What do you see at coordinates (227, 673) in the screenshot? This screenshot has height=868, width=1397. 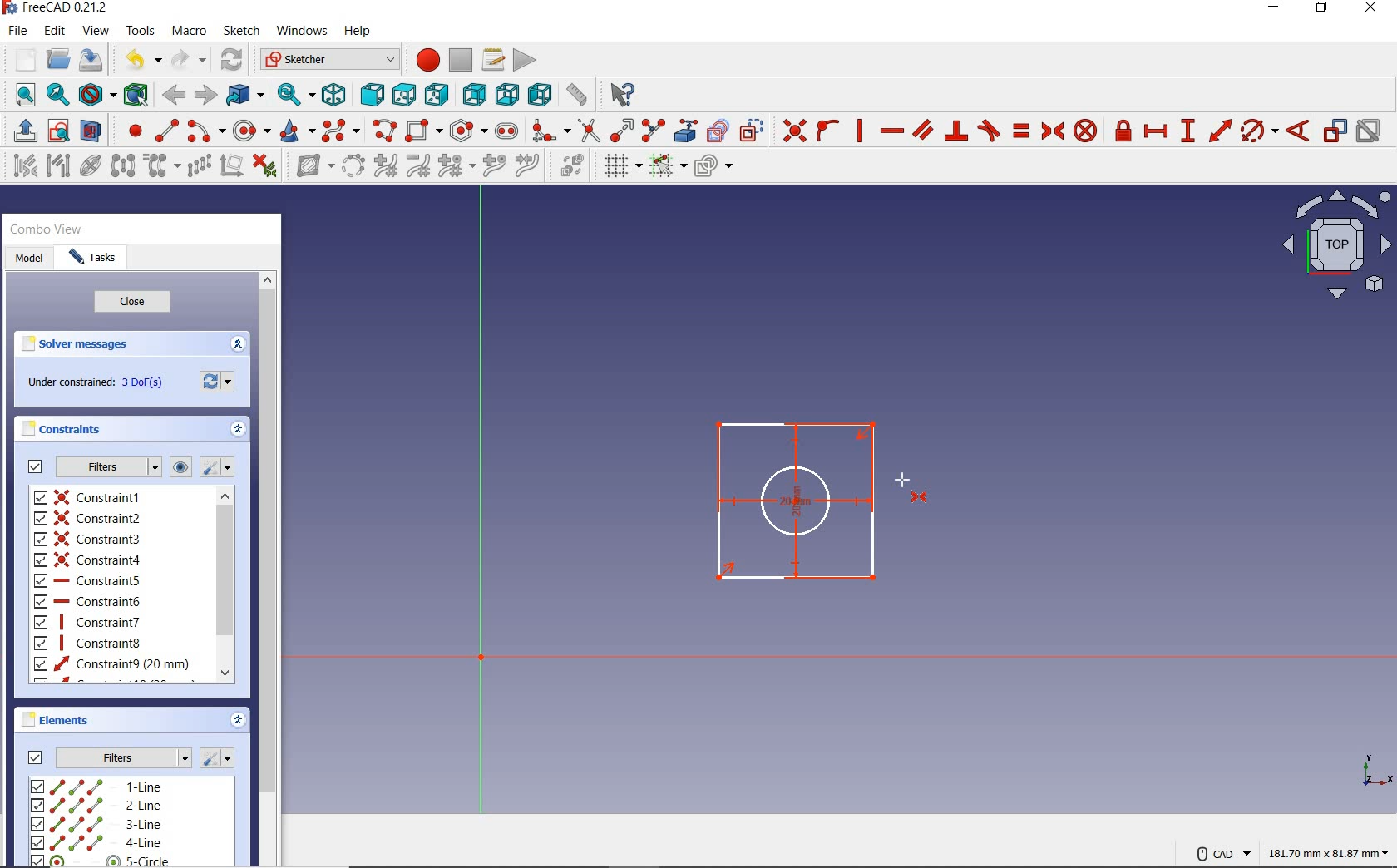 I see `Scroll down` at bounding box center [227, 673].